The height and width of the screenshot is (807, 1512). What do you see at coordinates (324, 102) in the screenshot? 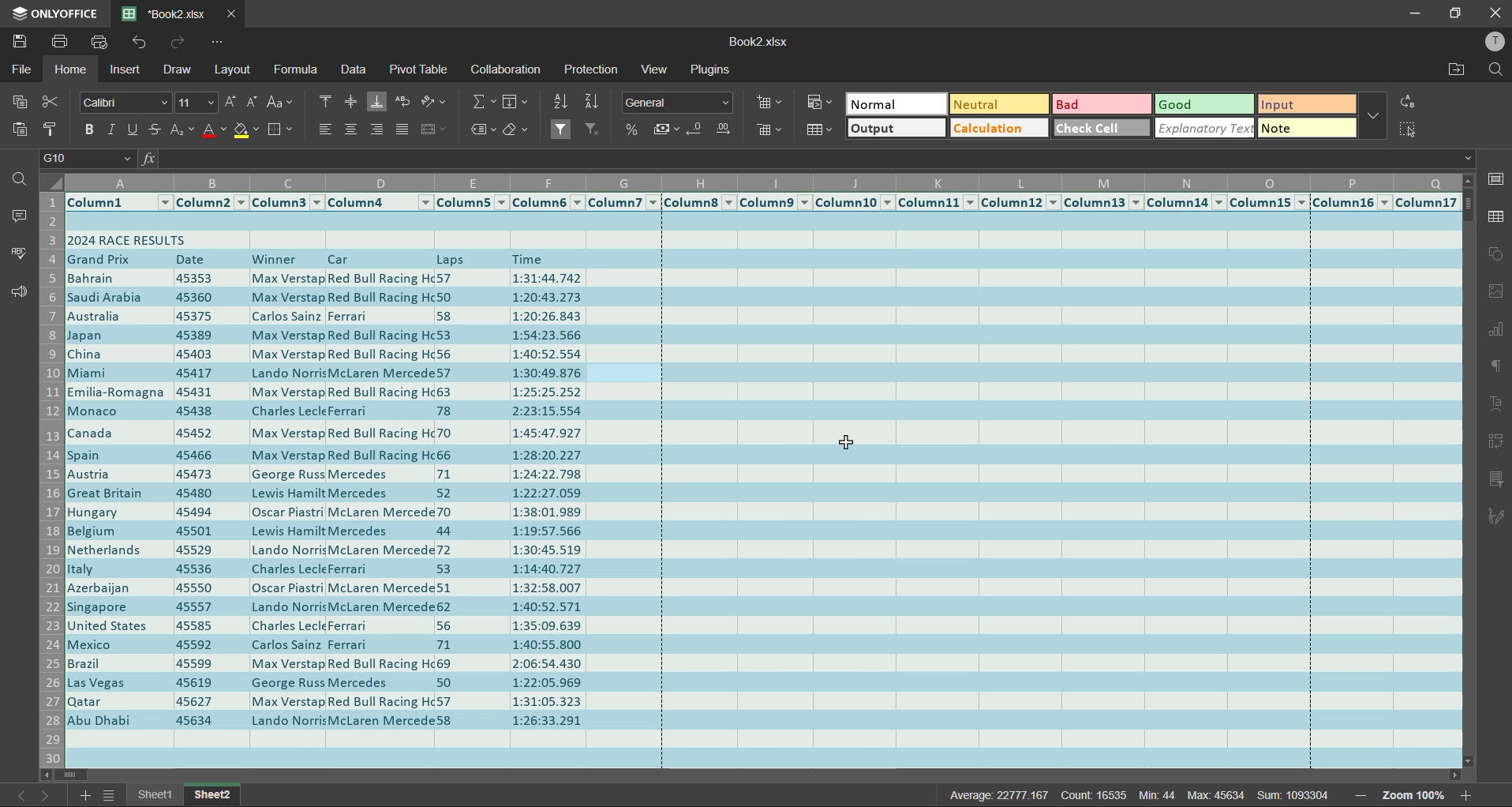
I see `align top` at bounding box center [324, 102].